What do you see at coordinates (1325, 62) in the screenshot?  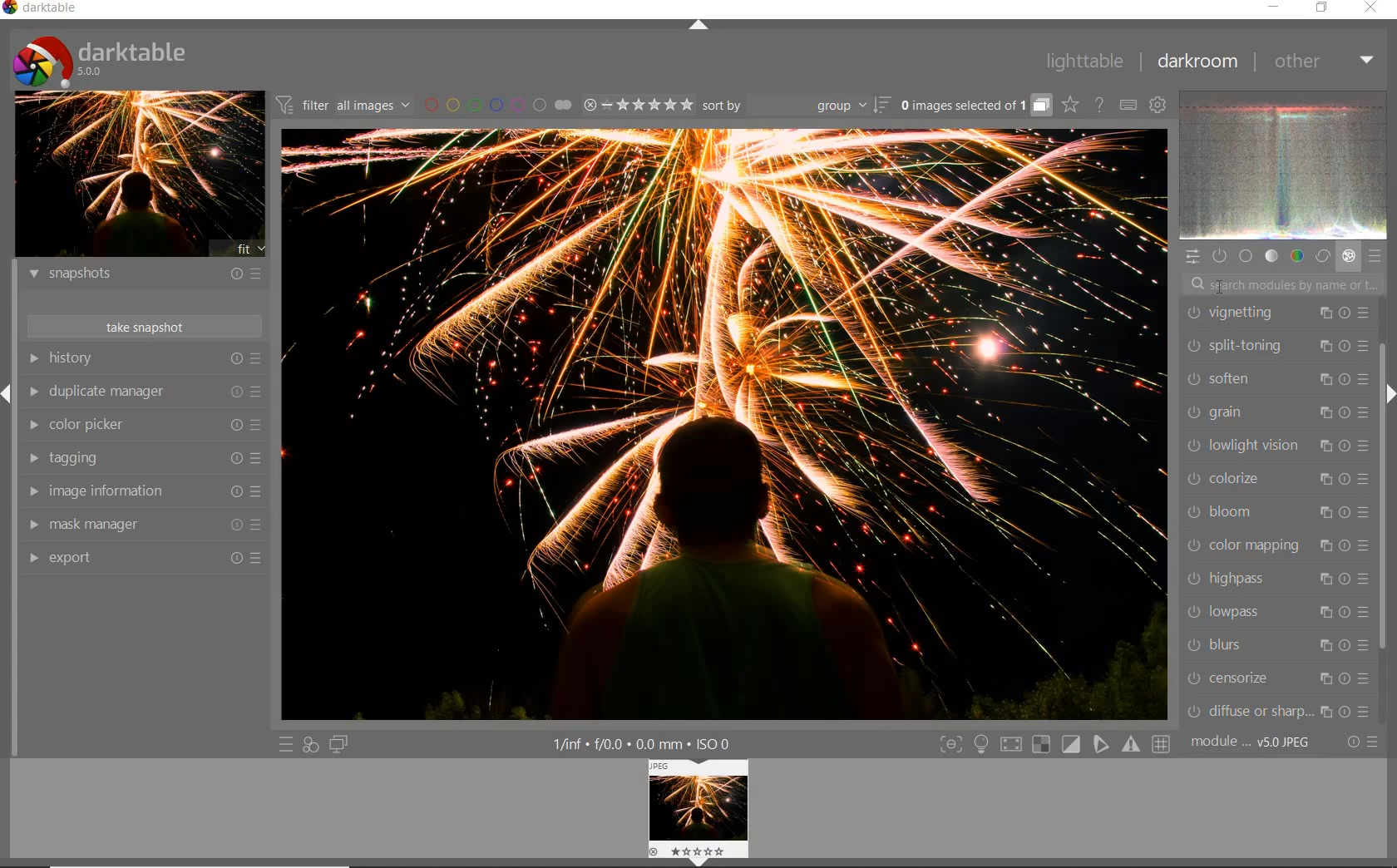 I see `other` at bounding box center [1325, 62].